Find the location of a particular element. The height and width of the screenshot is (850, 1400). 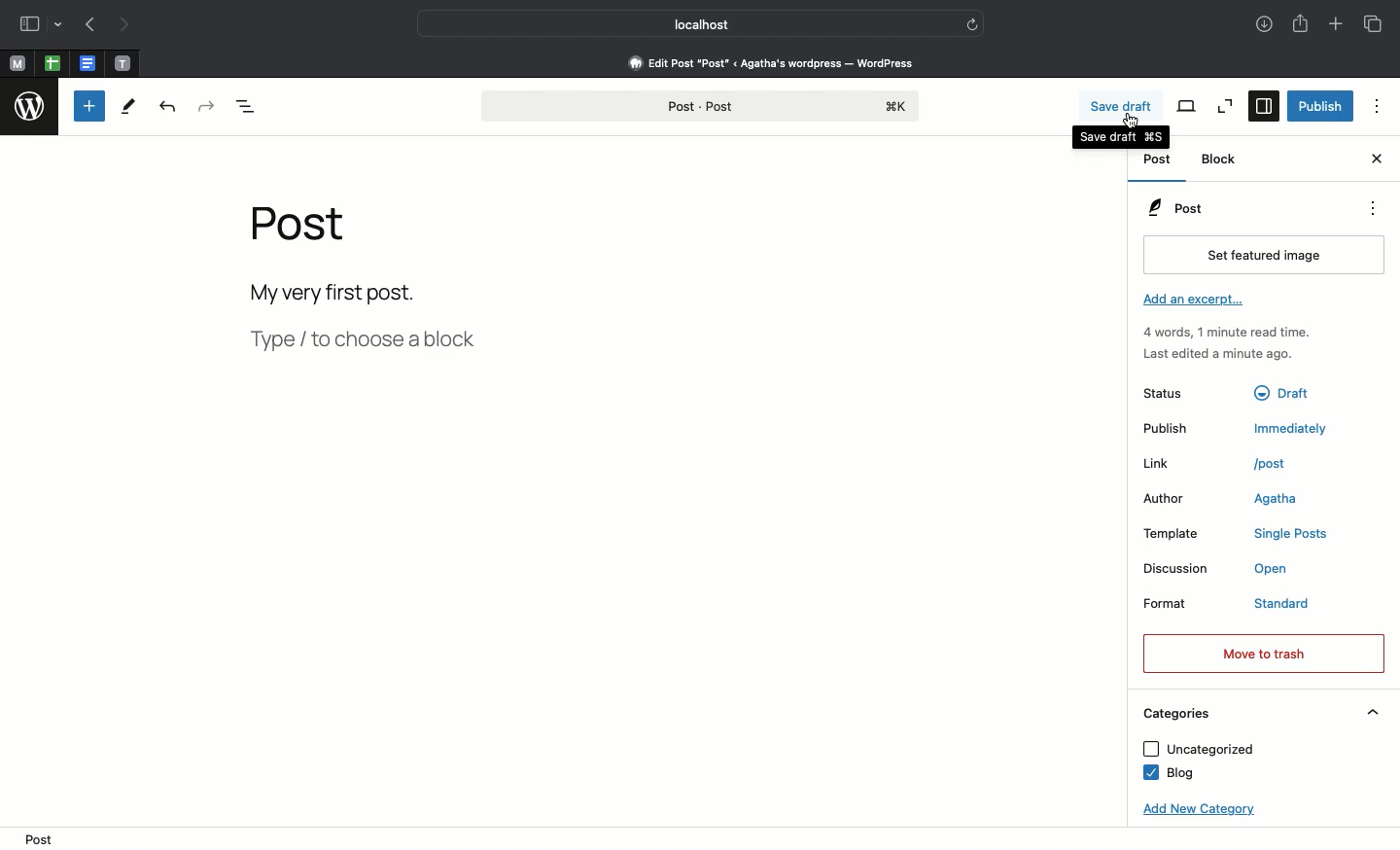

Publish is located at coordinates (1321, 106).